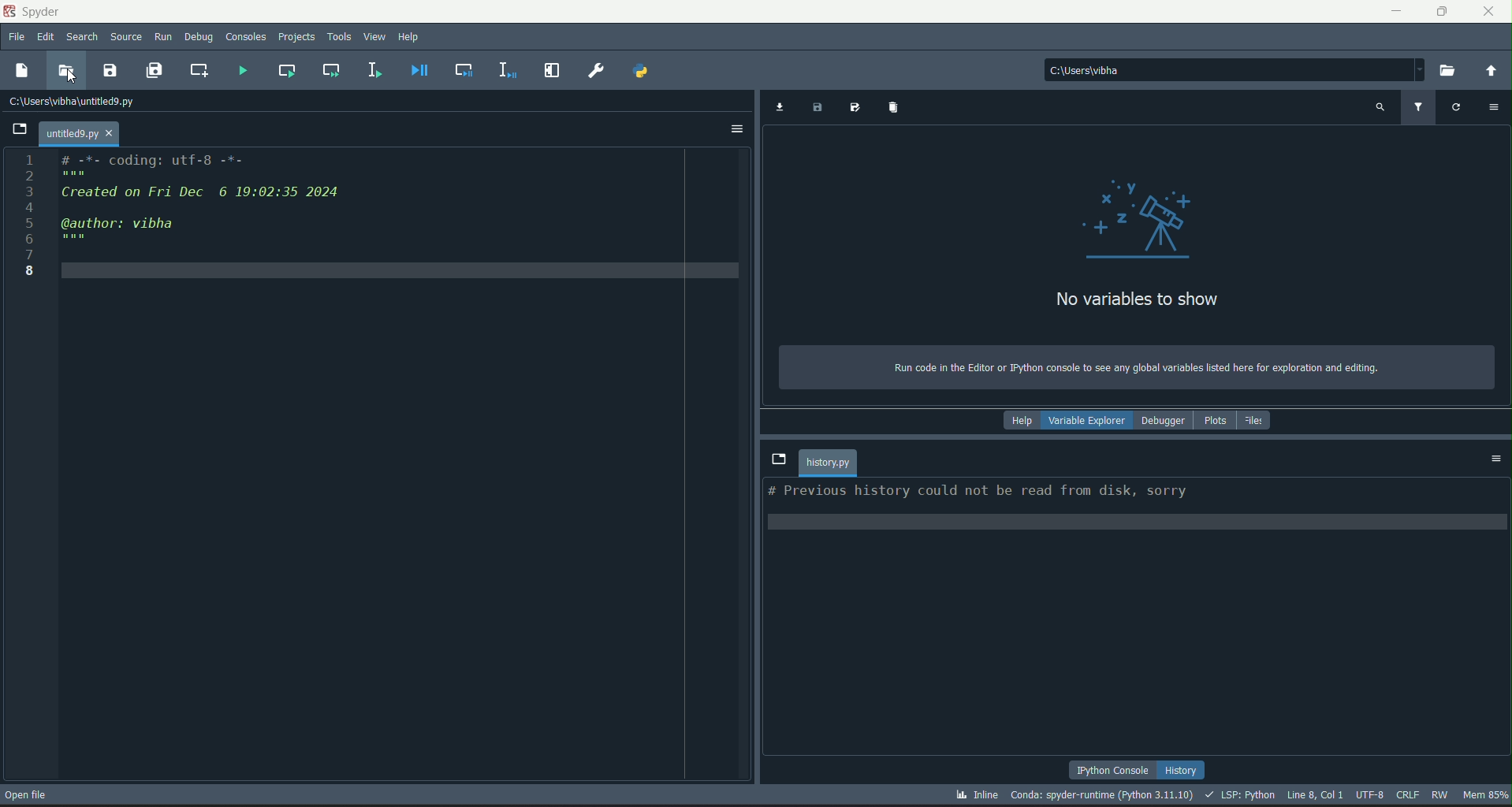 The image size is (1512, 807). Describe the element at coordinates (1231, 796) in the screenshot. I see `stats` at that location.